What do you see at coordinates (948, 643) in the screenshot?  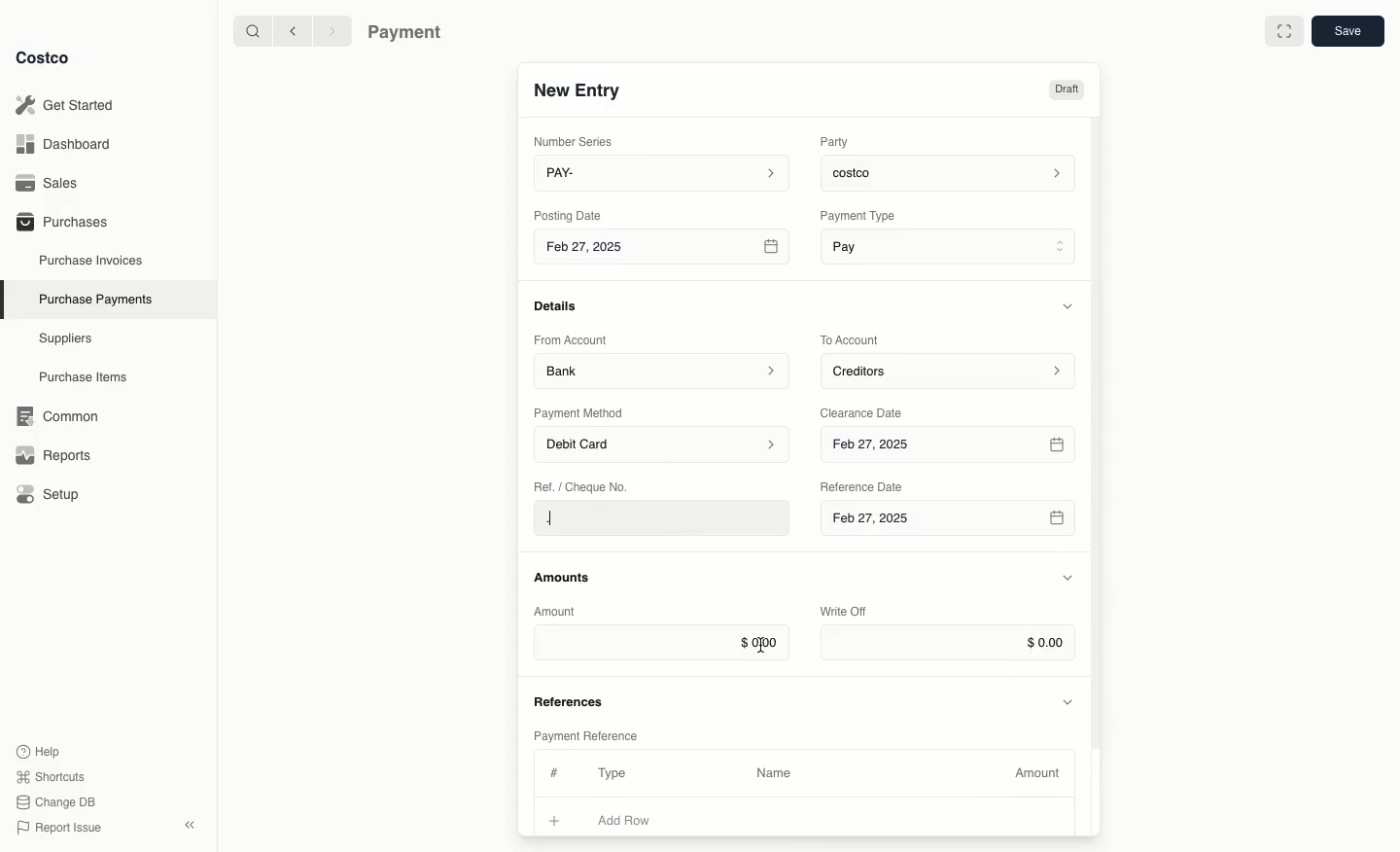 I see `$0.00` at bounding box center [948, 643].